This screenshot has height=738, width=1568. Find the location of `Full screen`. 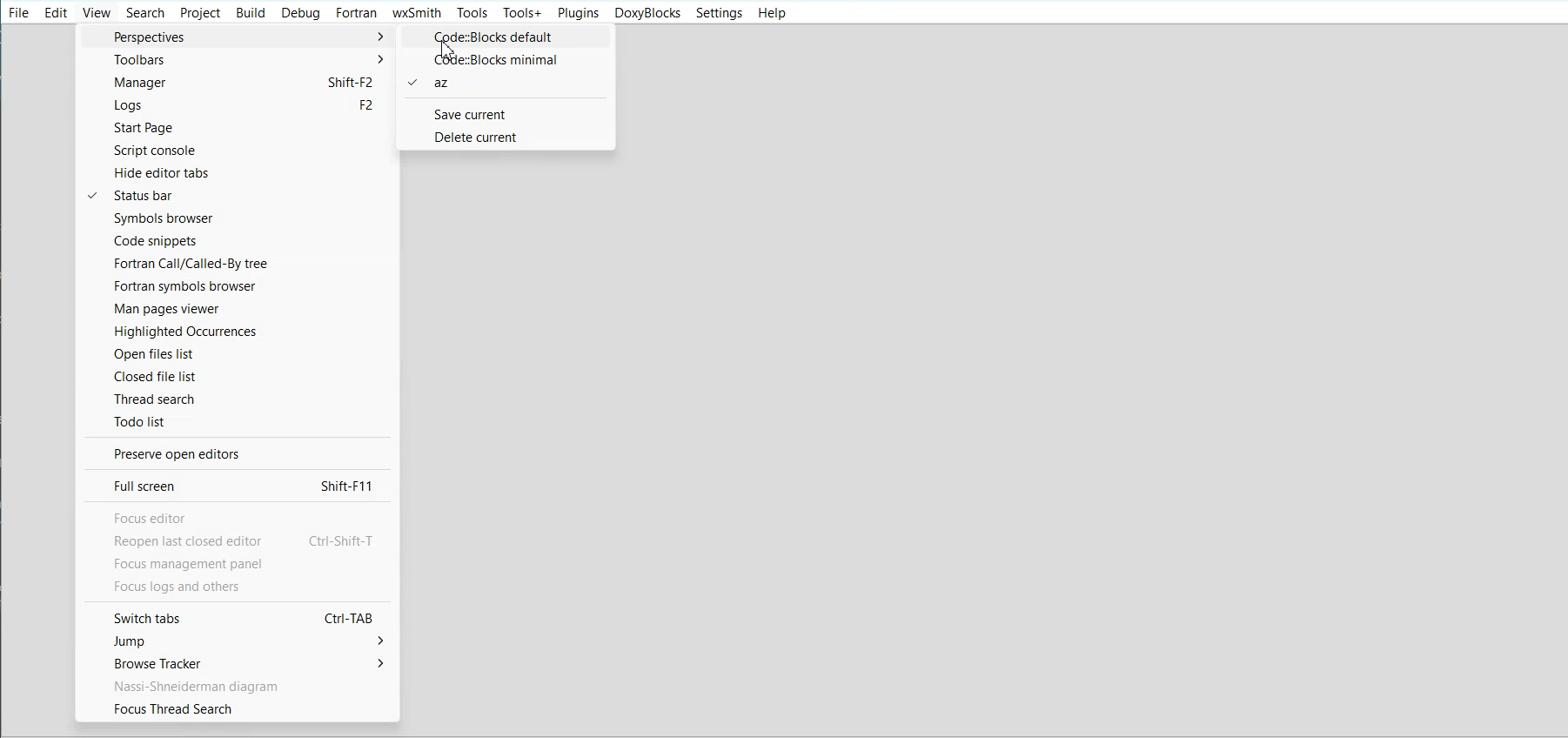

Full screen is located at coordinates (236, 486).